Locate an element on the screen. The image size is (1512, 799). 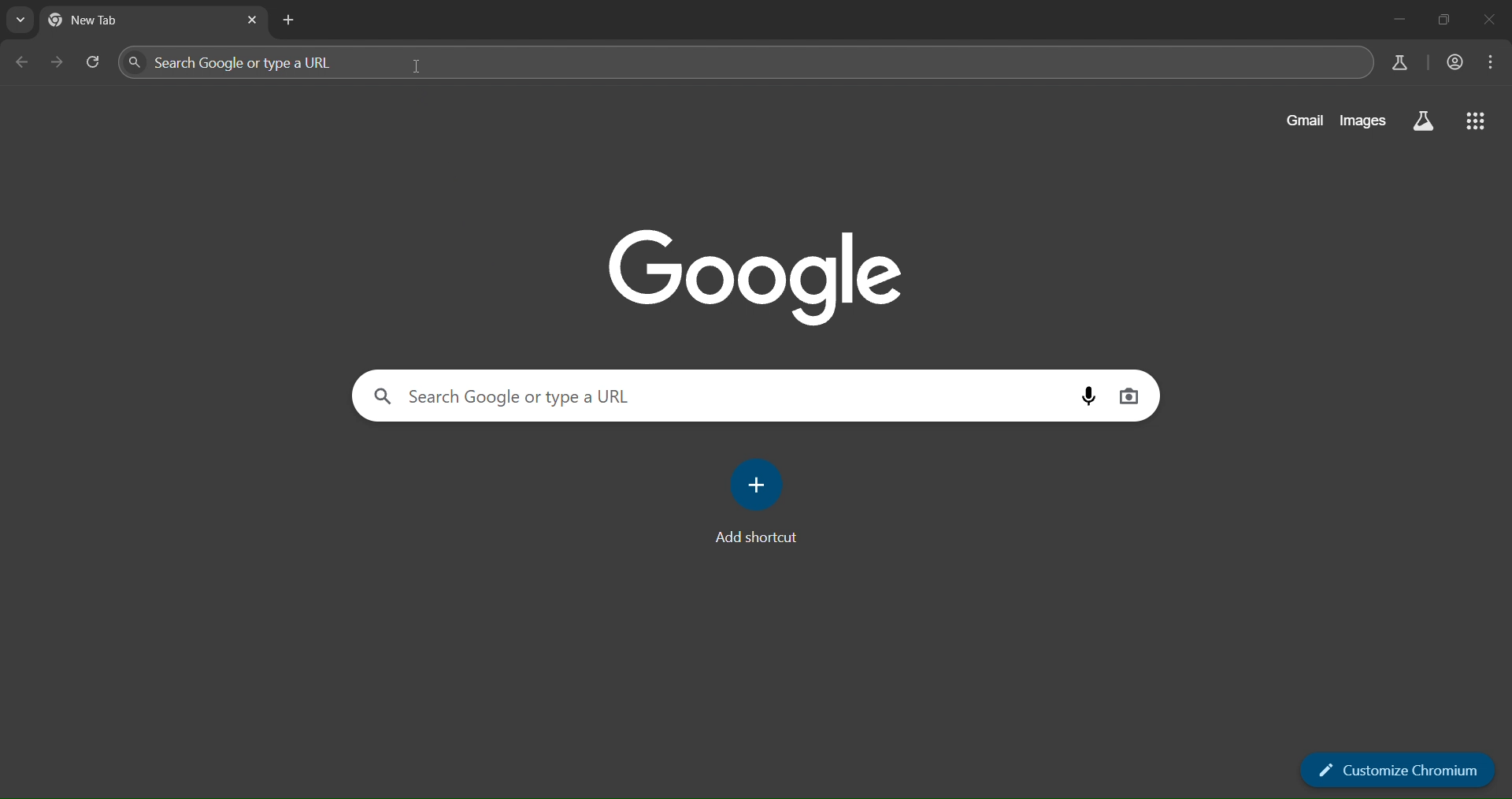
new tab is located at coordinates (291, 21).